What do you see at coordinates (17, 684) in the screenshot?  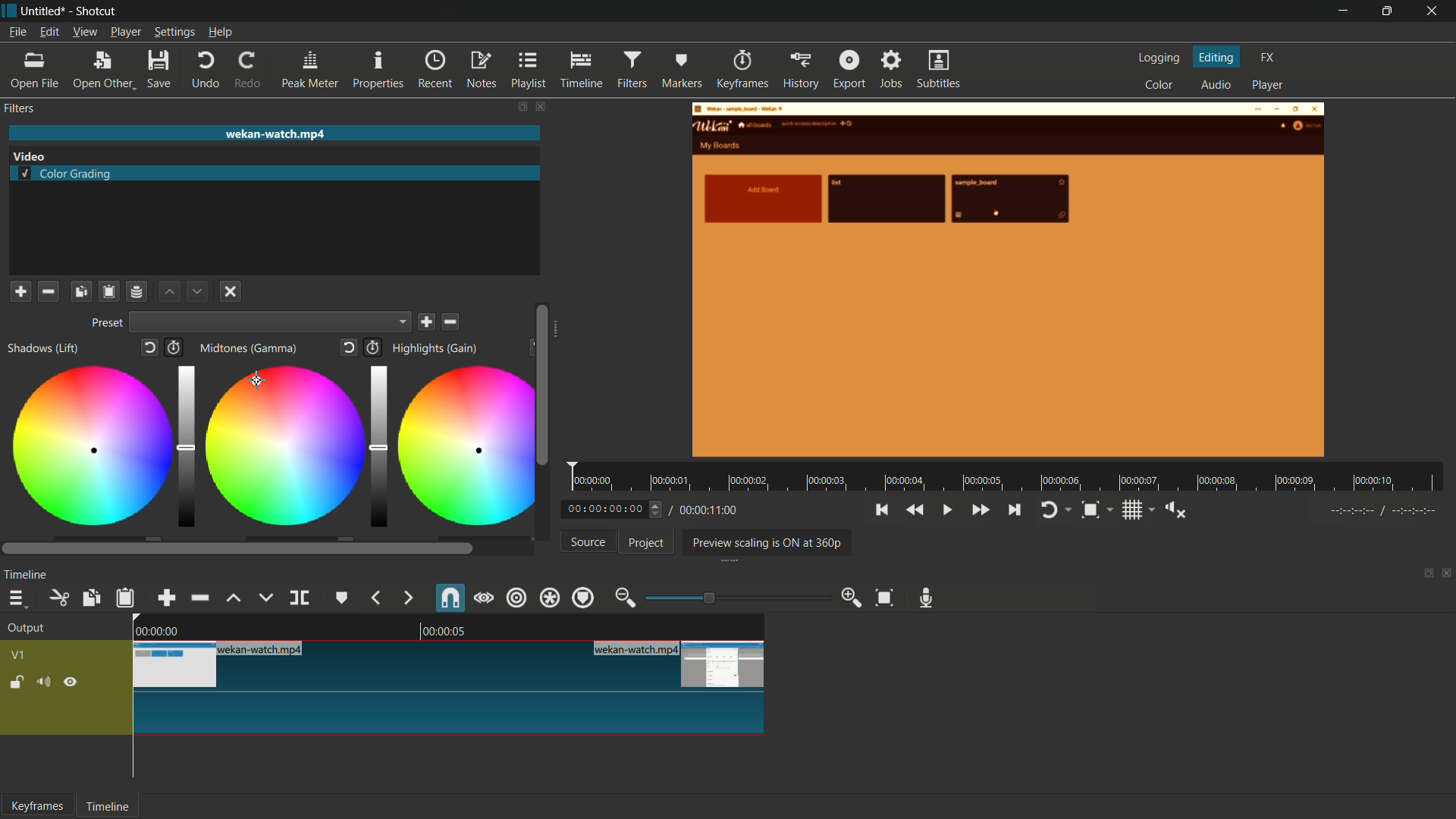 I see `lock` at bounding box center [17, 684].